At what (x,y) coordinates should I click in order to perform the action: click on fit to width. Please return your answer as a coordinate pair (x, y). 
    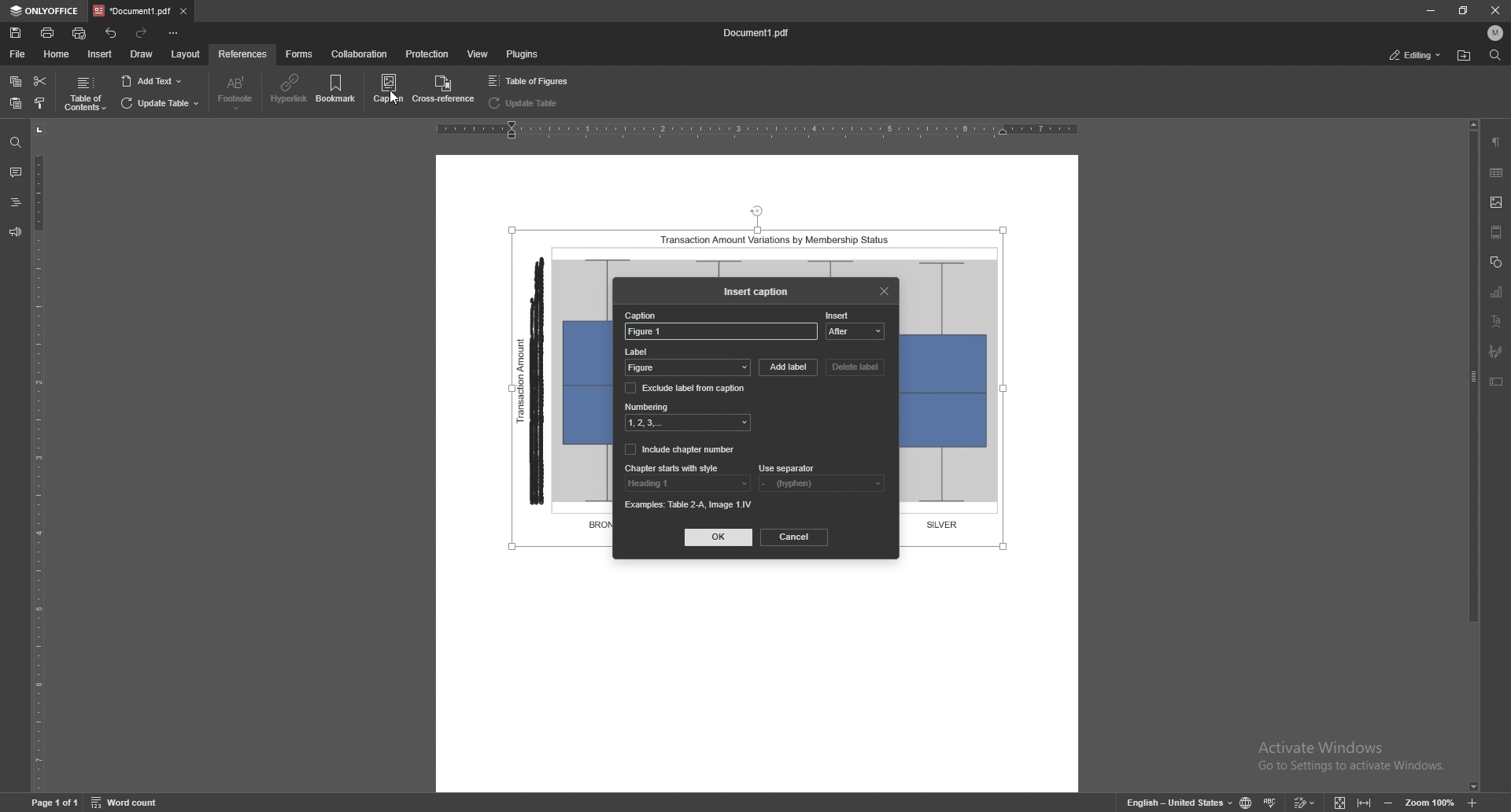
    Looking at the image, I should click on (1365, 802).